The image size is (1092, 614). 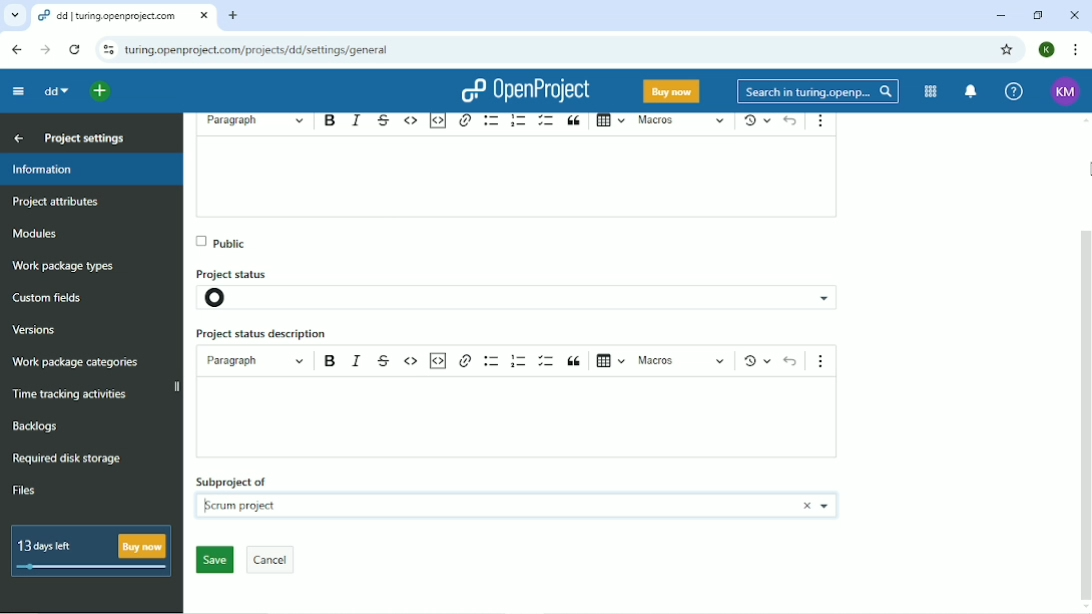 What do you see at coordinates (1047, 50) in the screenshot?
I see `K` at bounding box center [1047, 50].